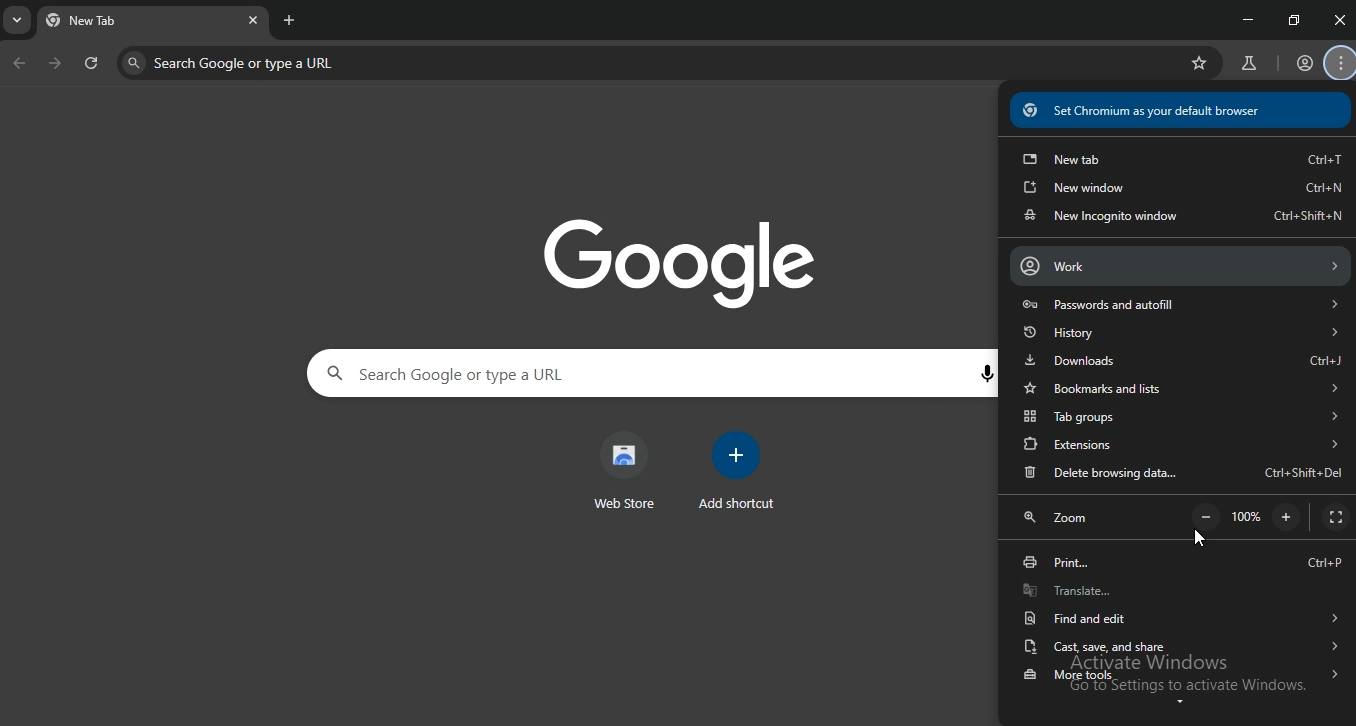 This screenshot has width=1356, height=726. Describe the element at coordinates (1202, 63) in the screenshot. I see `bookmark this tab` at that location.